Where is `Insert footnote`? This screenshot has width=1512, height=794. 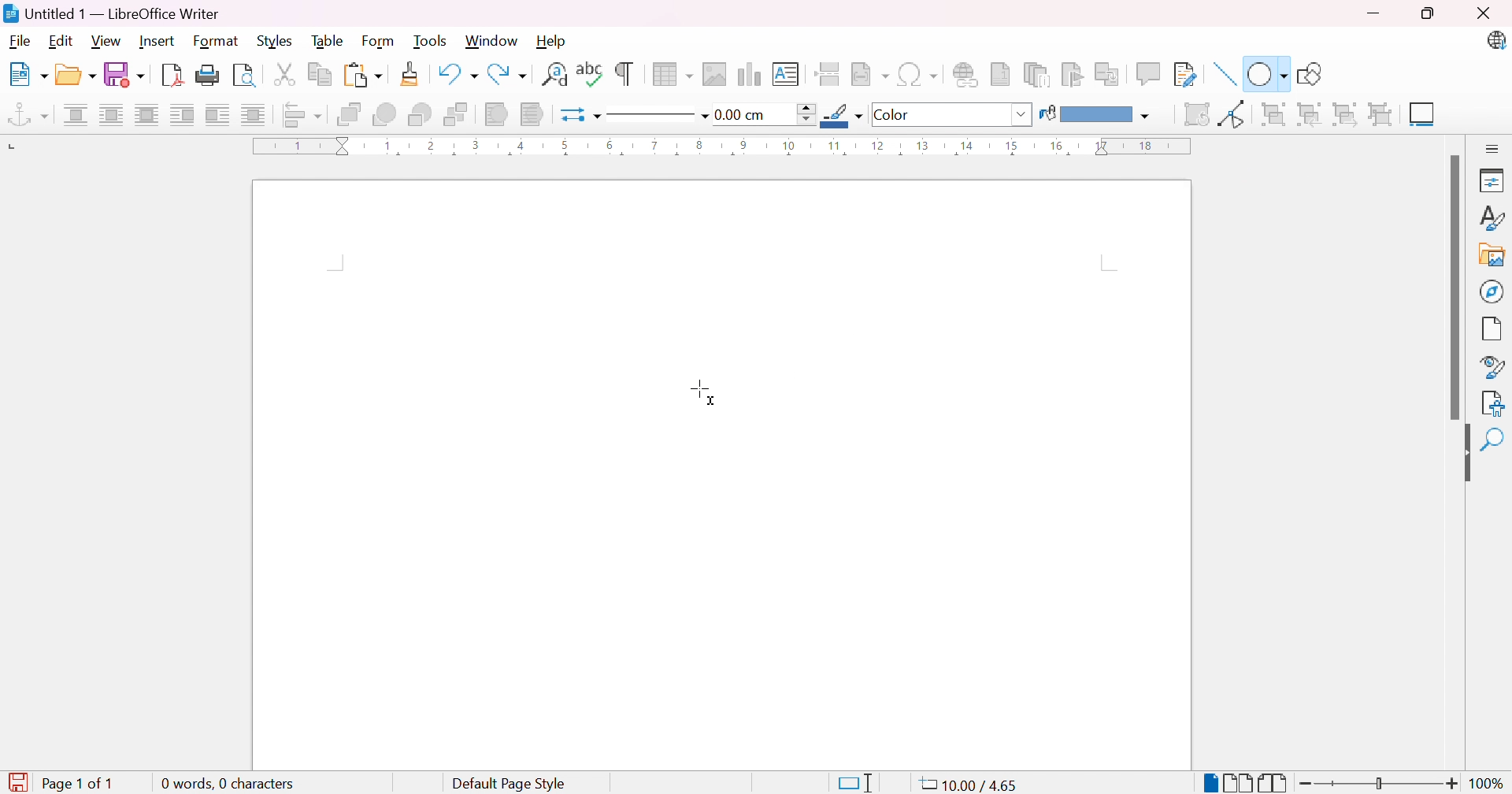
Insert footnote is located at coordinates (1001, 72).